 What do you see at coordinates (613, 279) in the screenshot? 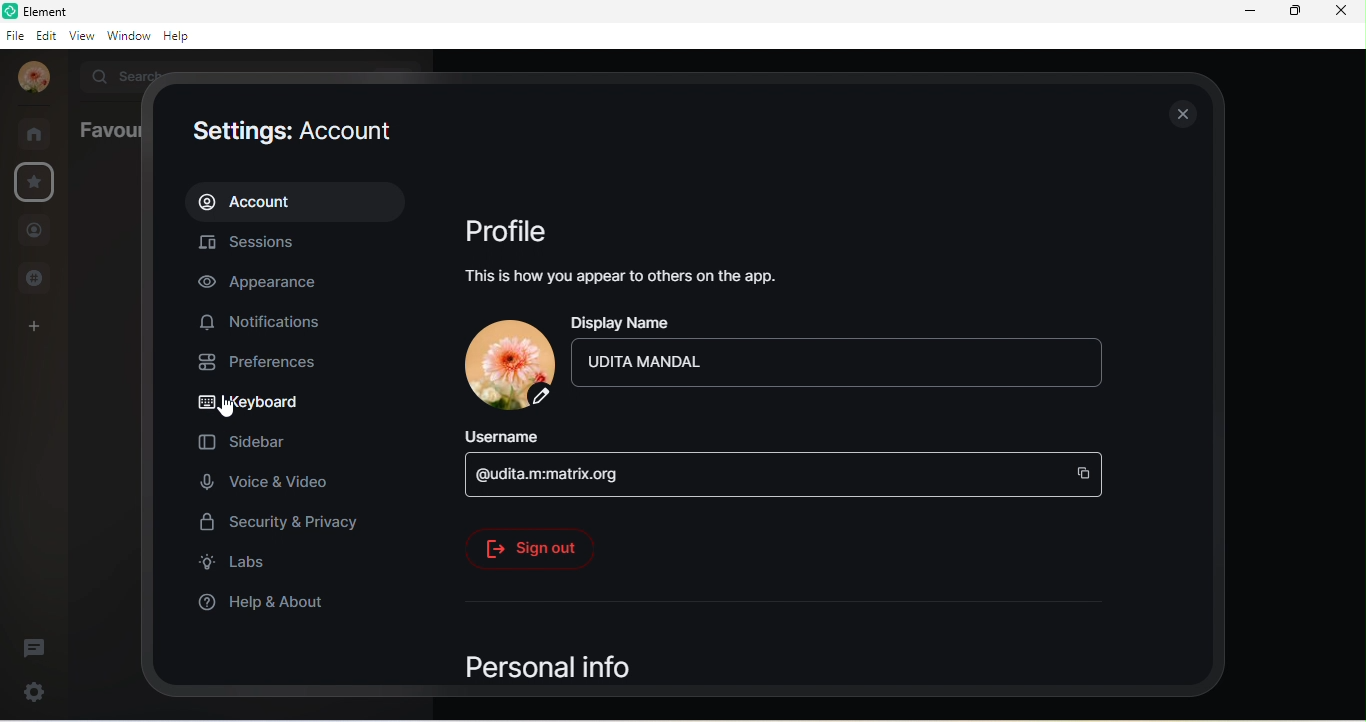
I see `this is how you appear to others on the app` at bounding box center [613, 279].